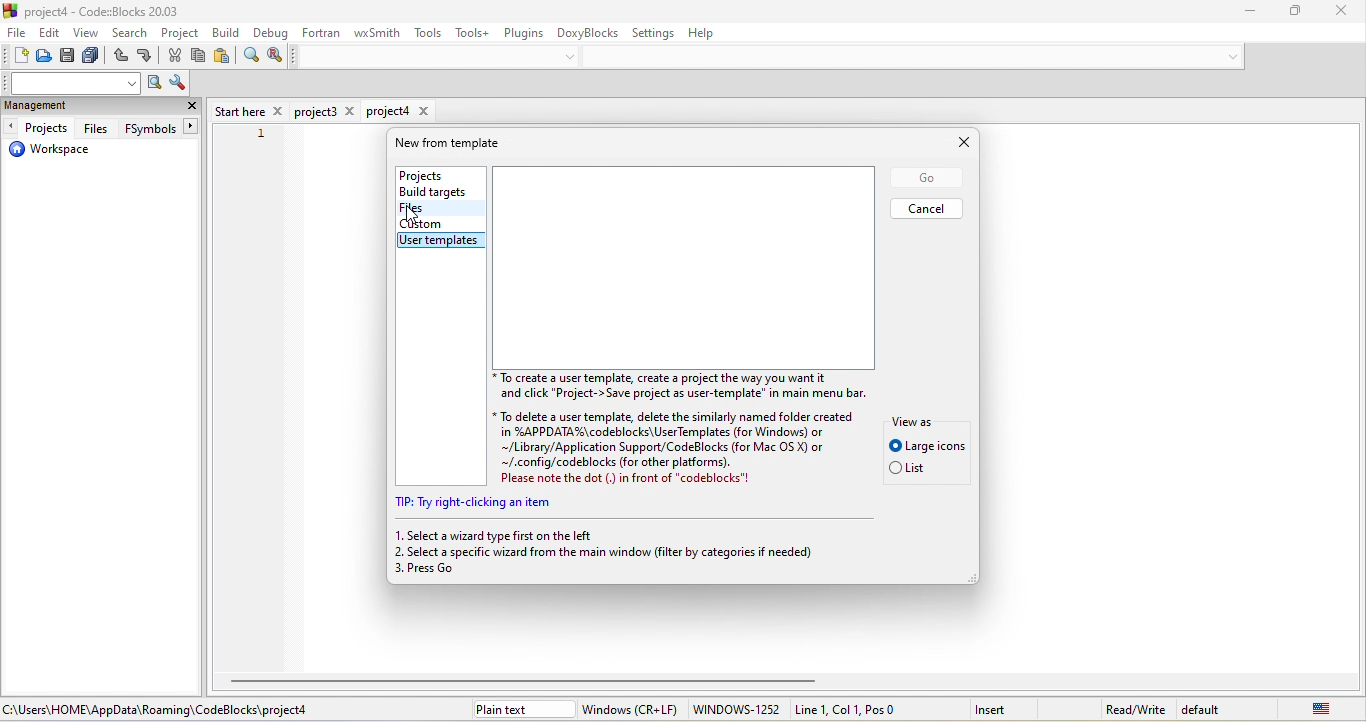  Describe the element at coordinates (51, 34) in the screenshot. I see `edit` at that location.